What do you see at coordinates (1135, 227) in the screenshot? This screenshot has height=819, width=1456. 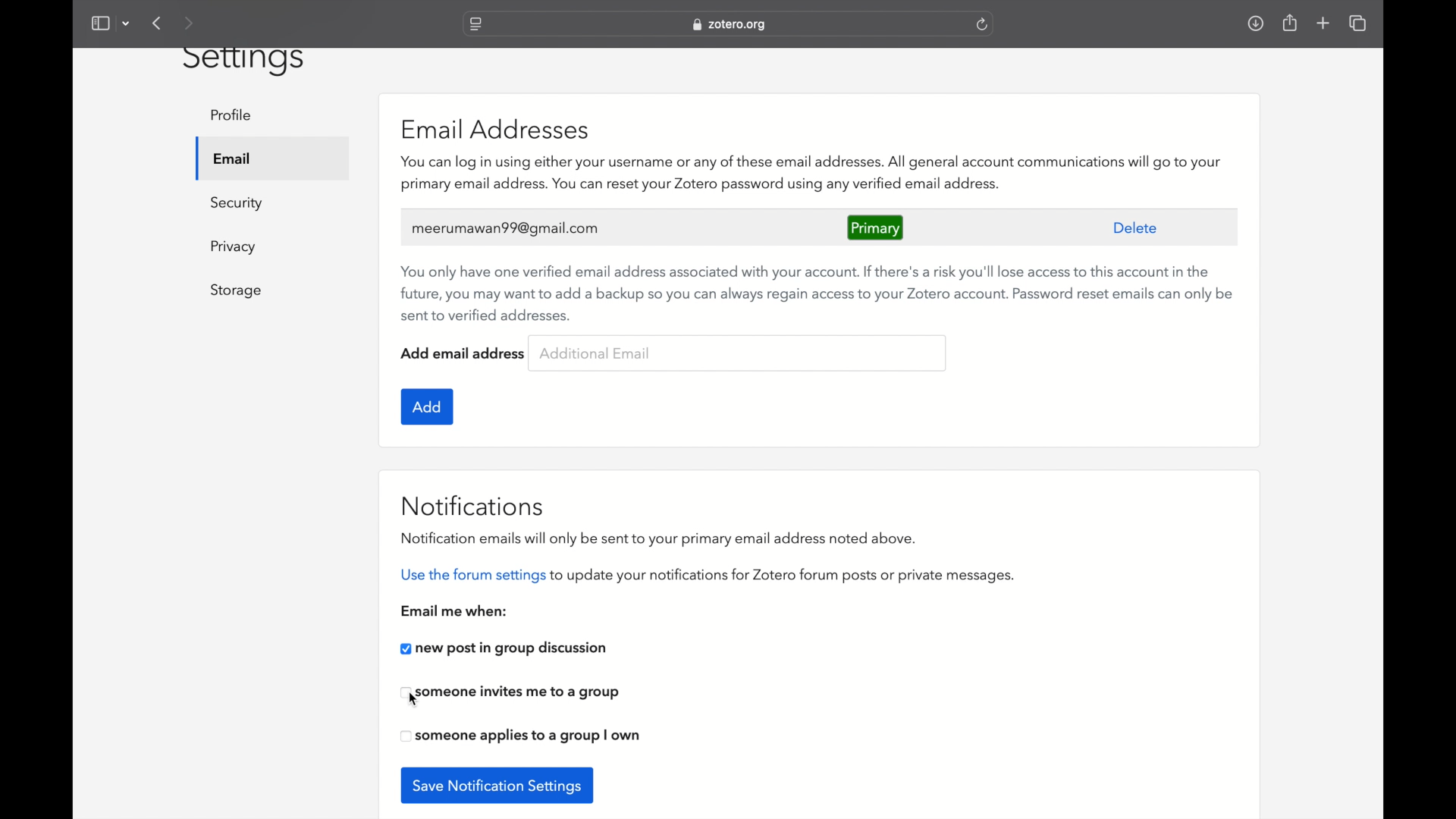 I see `delete` at bounding box center [1135, 227].